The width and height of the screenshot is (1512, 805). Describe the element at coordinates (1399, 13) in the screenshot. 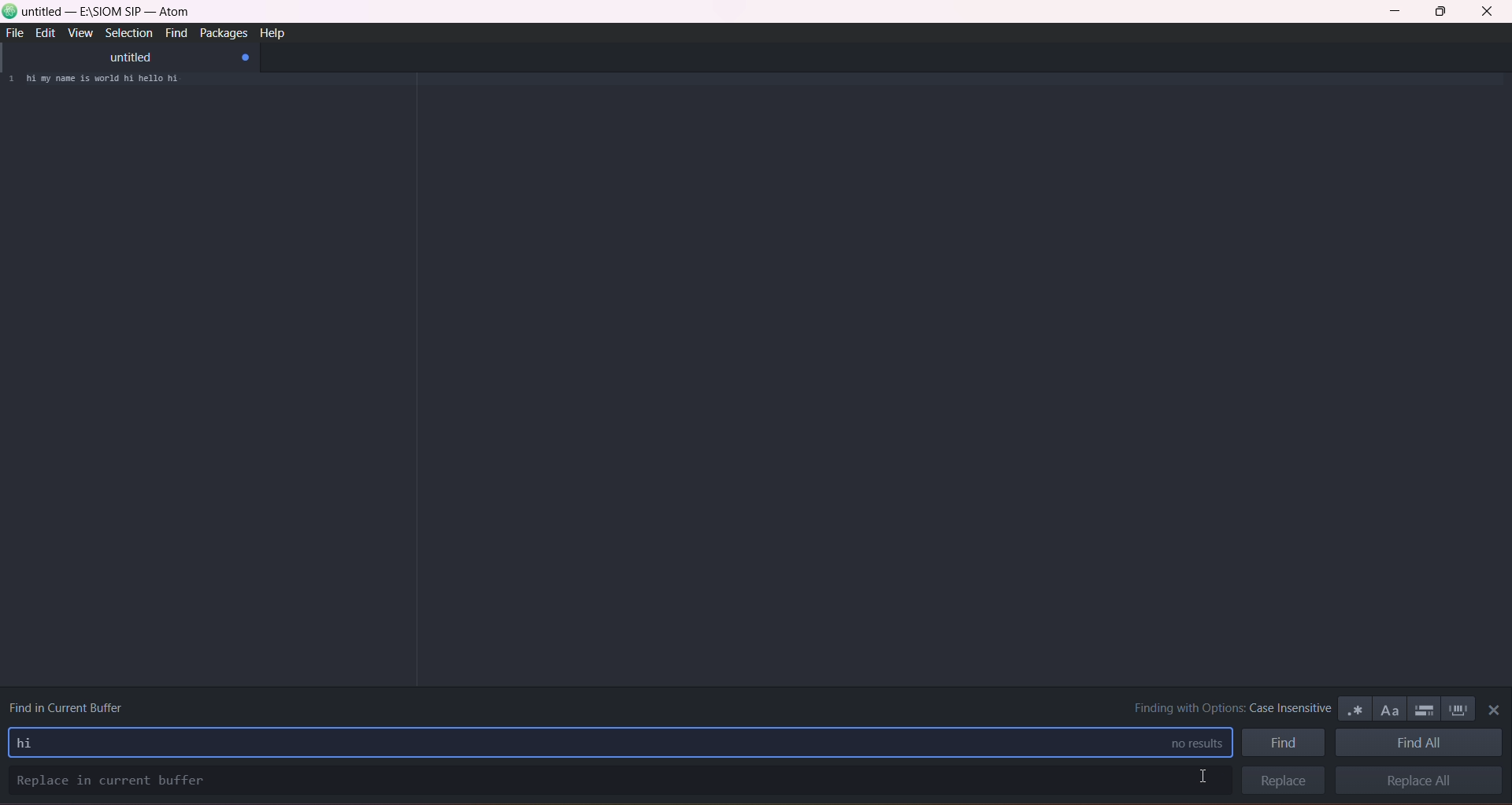

I see `minimize` at that location.